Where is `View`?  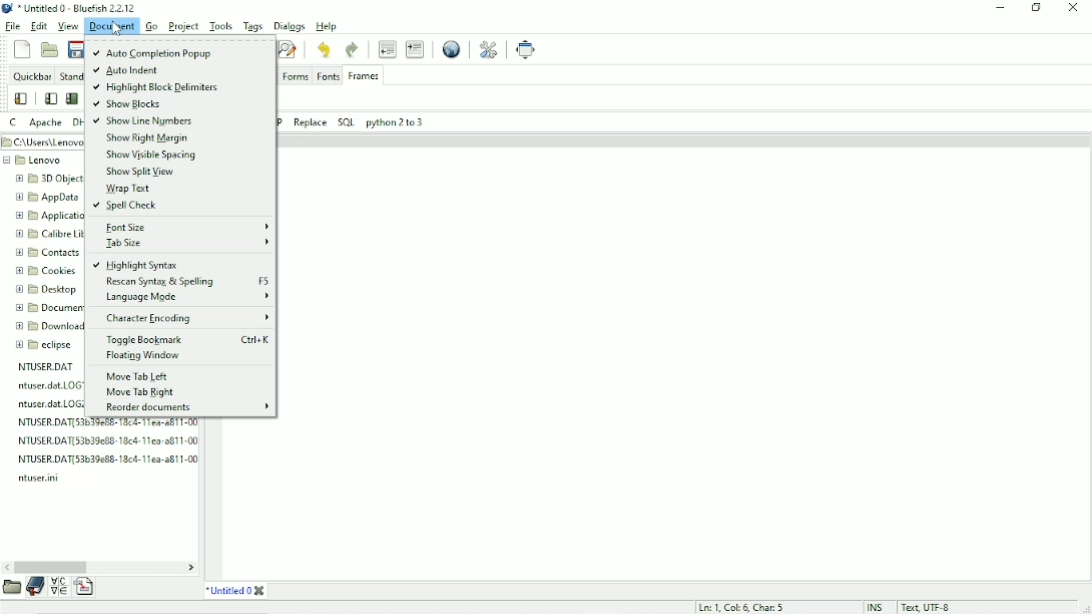 View is located at coordinates (67, 27).